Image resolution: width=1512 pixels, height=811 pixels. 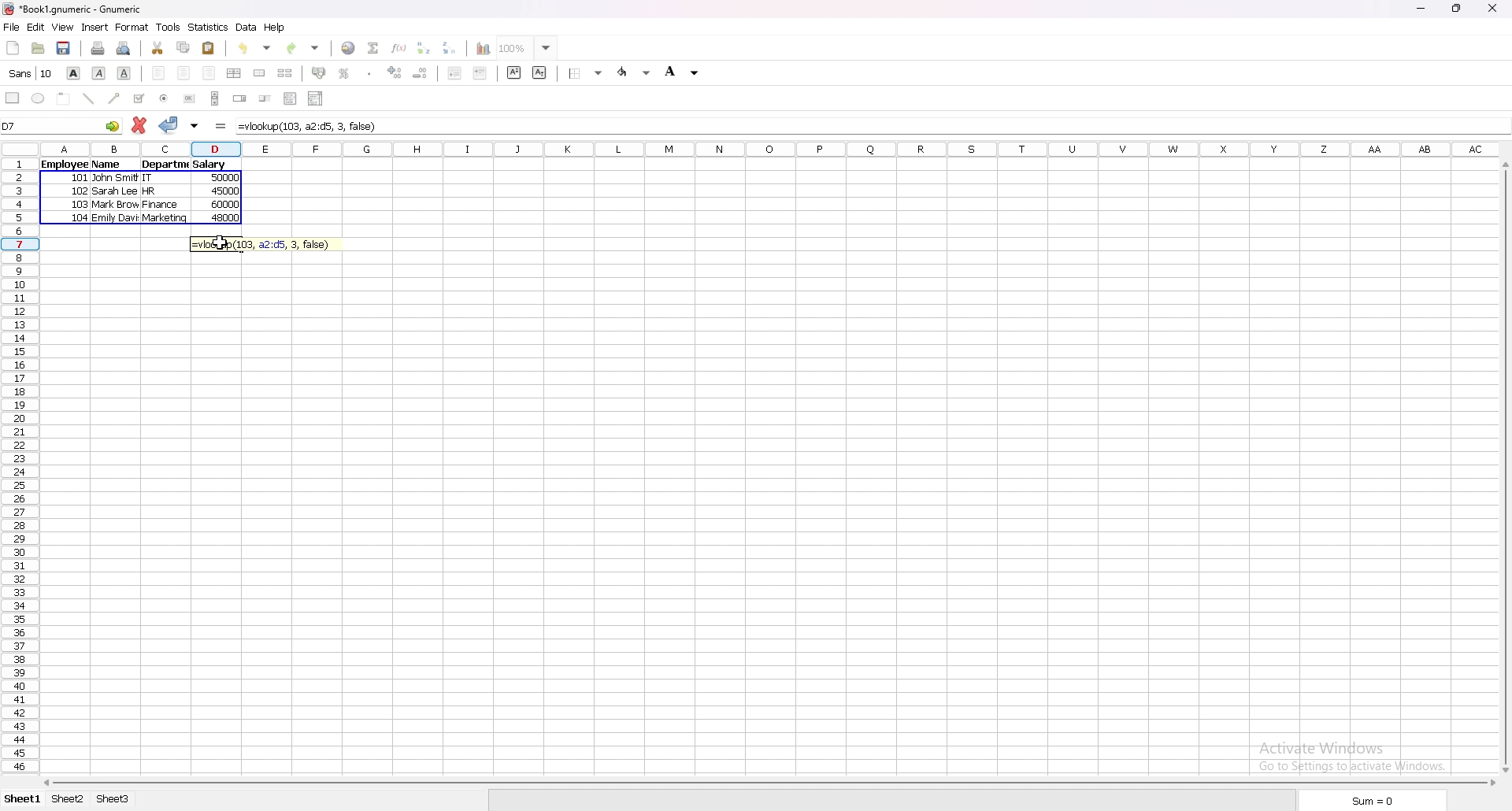 I want to click on department, so click(x=165, y=167).